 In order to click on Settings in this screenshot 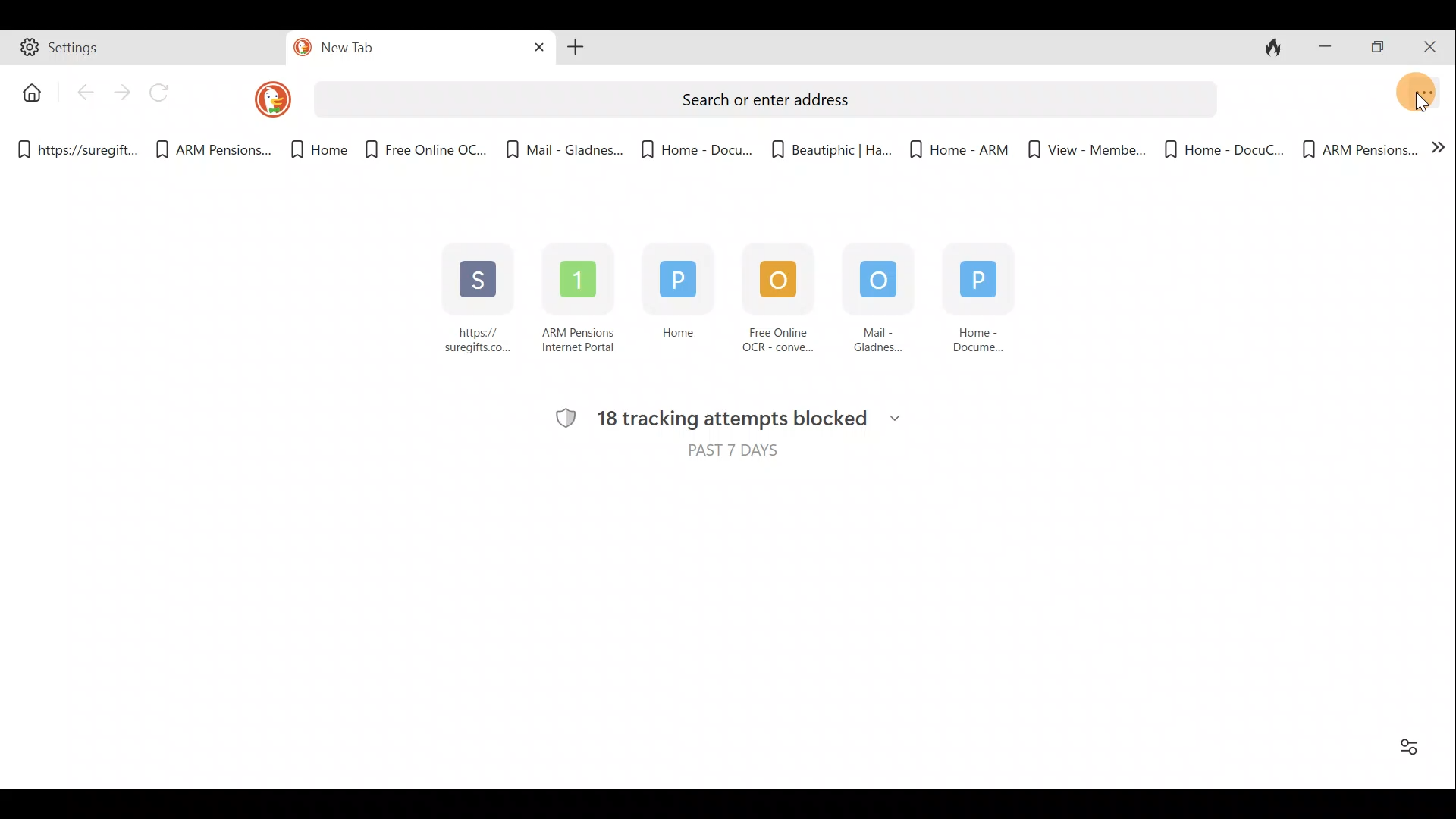, I will do `click(145, 50)`.